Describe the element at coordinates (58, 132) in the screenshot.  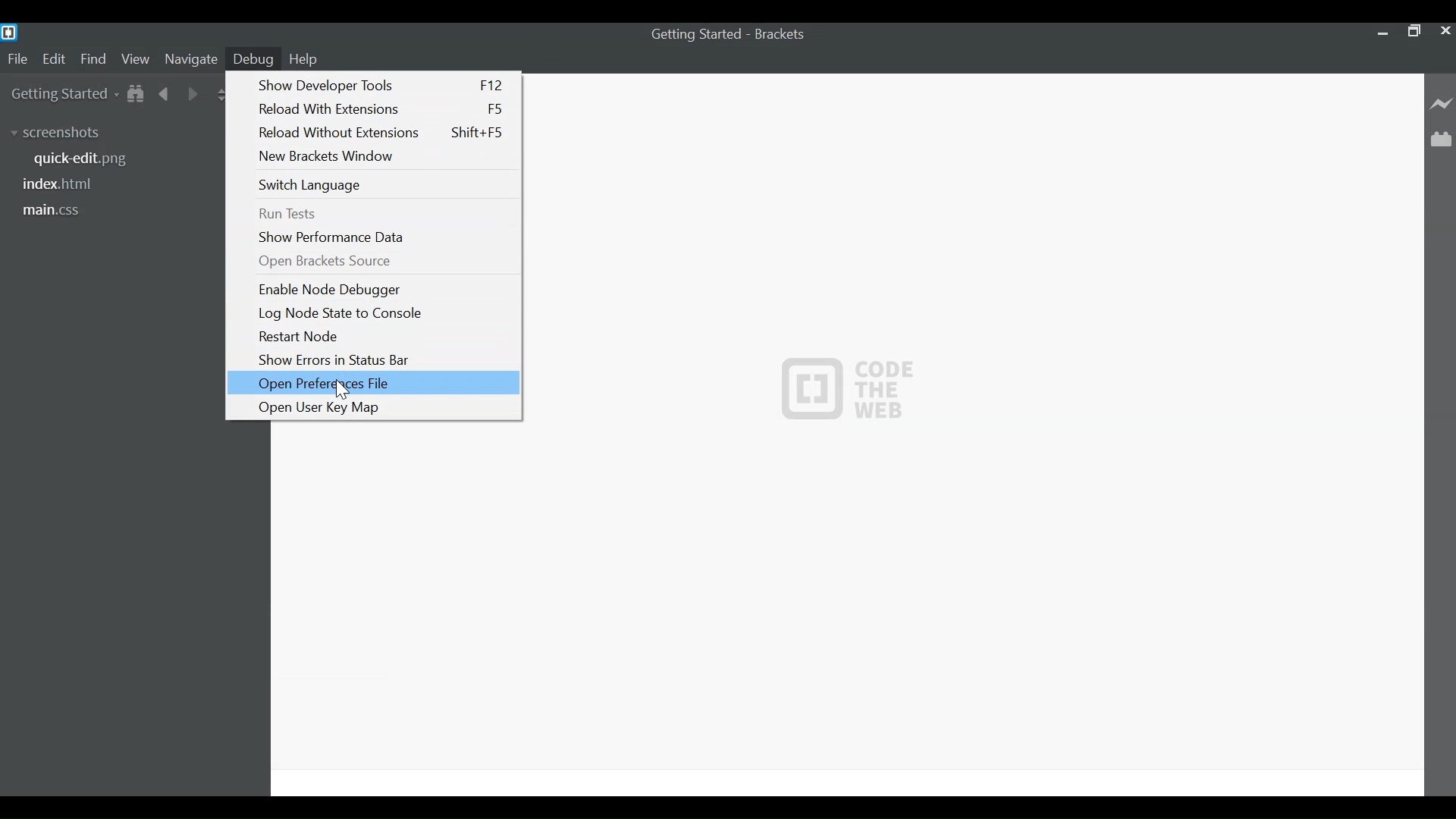
I see `screenshots` at that location.